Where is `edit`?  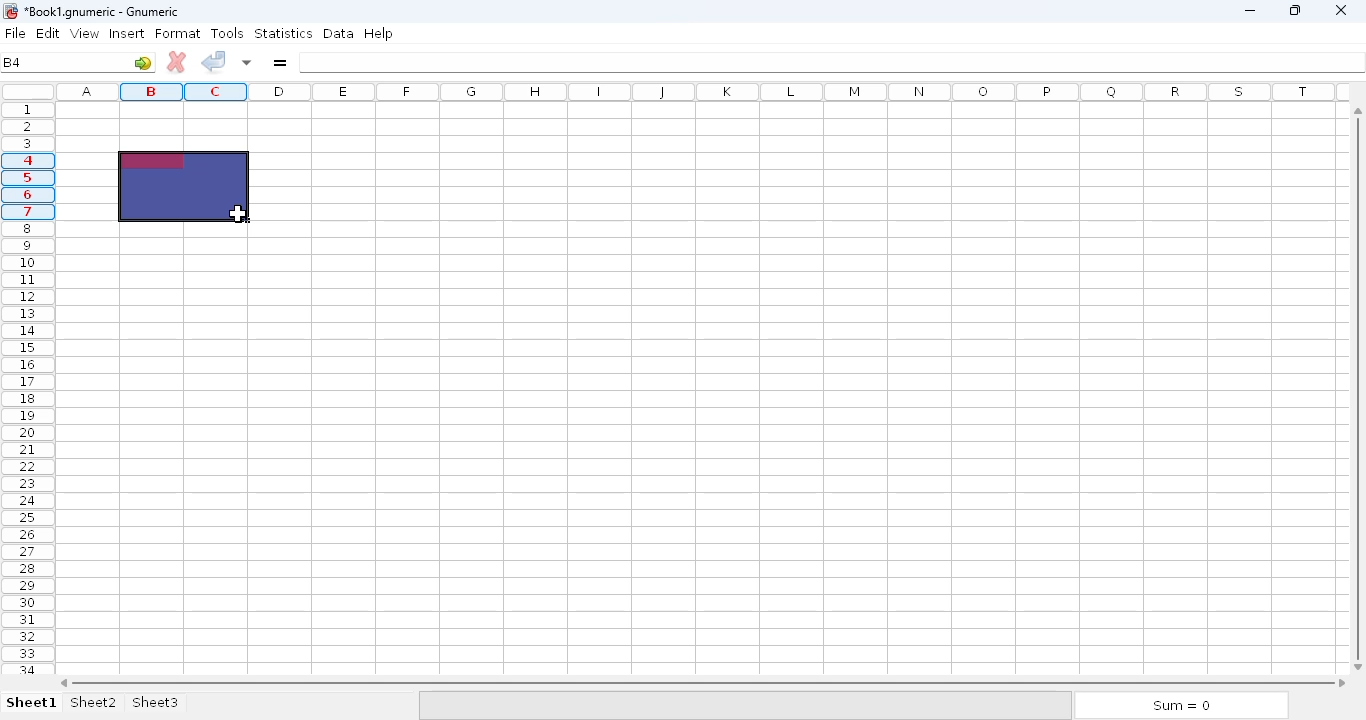
edit is located at coordinates (49, 32).